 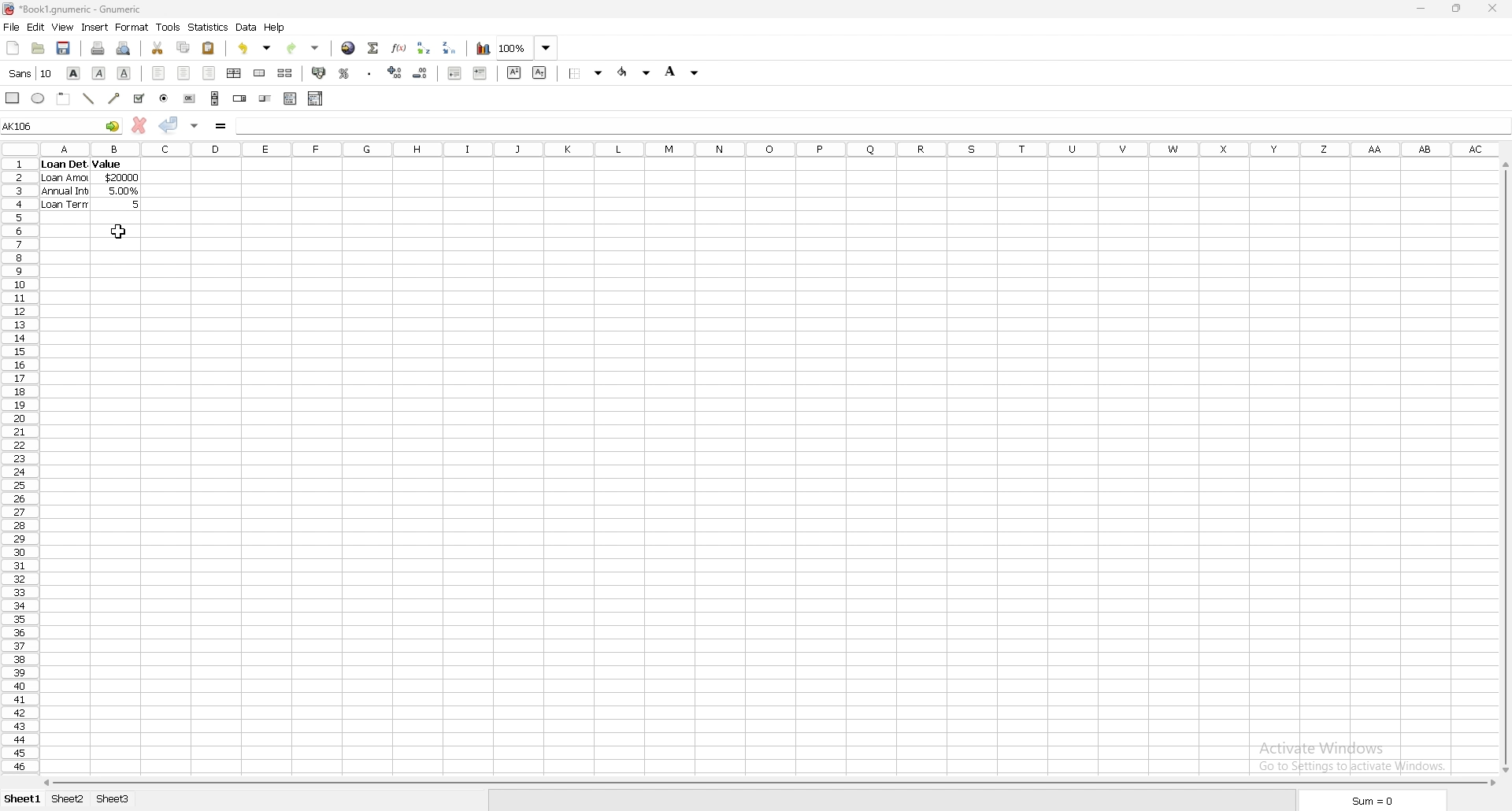 I want to click on accept changes, so click(x=169, y=125).